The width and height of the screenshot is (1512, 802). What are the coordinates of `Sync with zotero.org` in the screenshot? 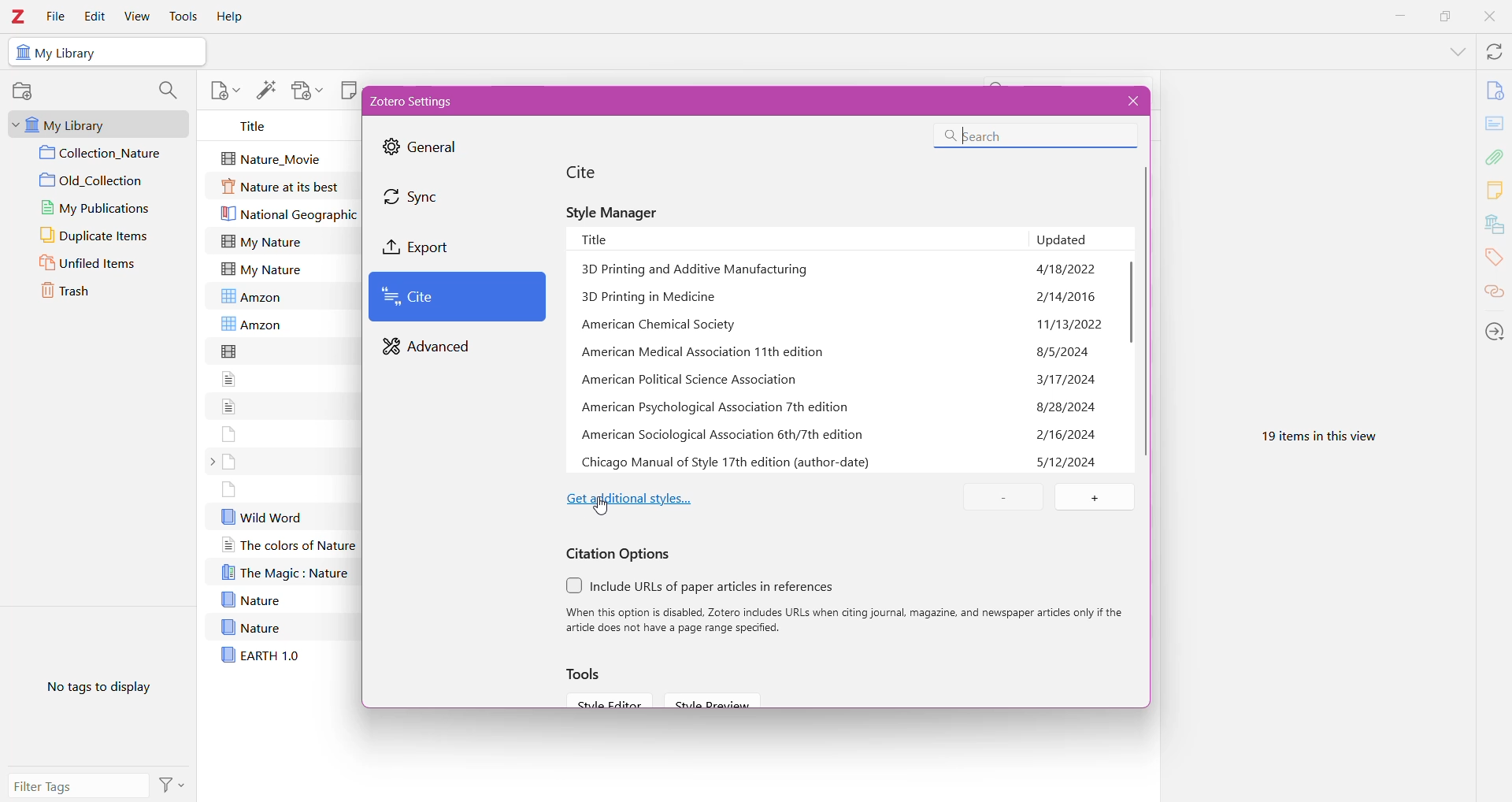 It's located at (1493, 51).